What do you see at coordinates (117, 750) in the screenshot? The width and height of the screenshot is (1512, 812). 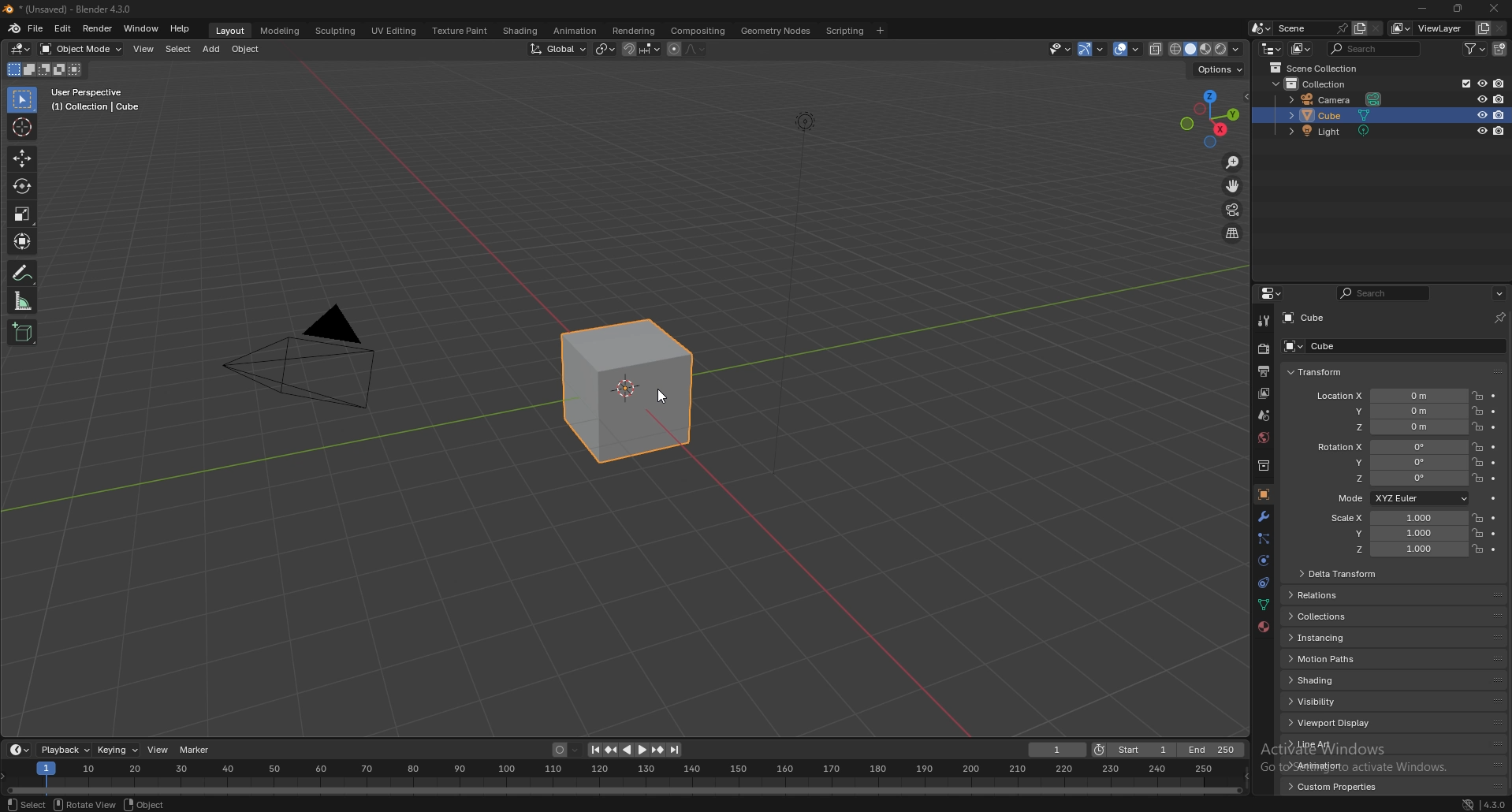 I see `keying` at bounding box center [117, 750].